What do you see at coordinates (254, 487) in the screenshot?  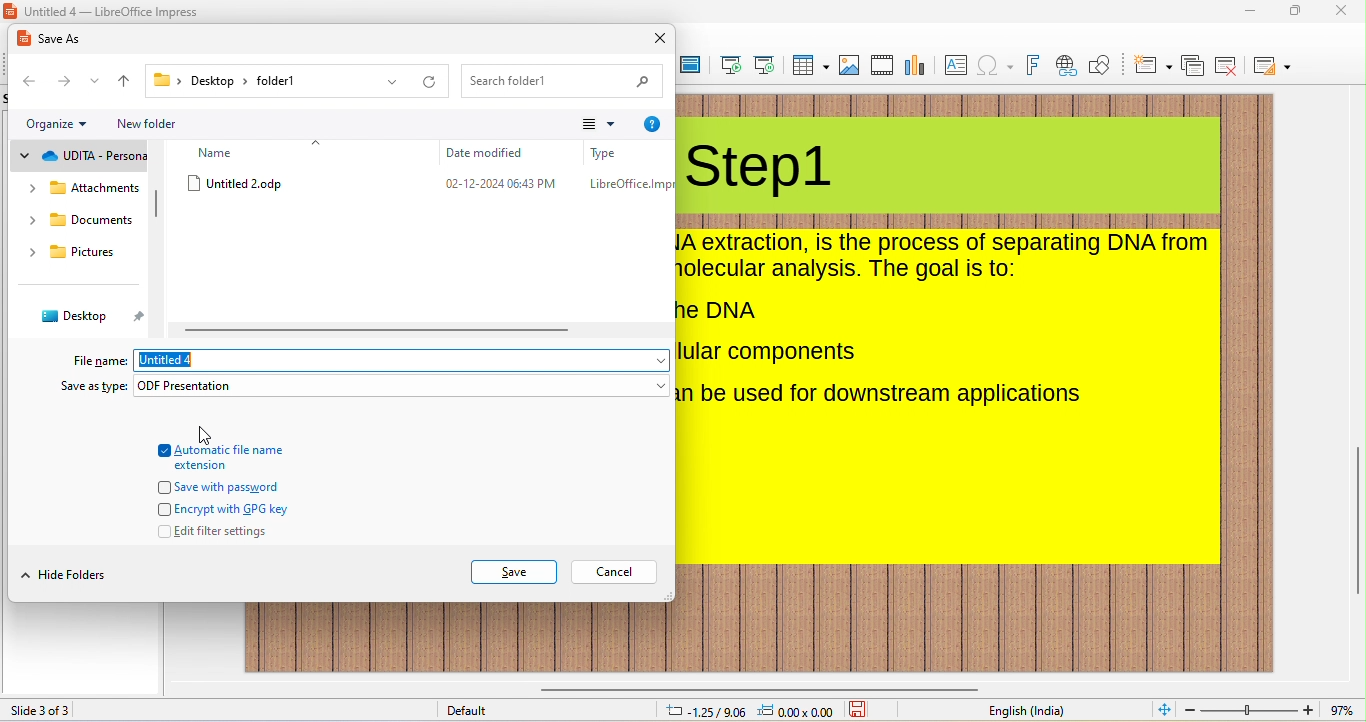 I see `save with password` at bounding box center [254, 487].